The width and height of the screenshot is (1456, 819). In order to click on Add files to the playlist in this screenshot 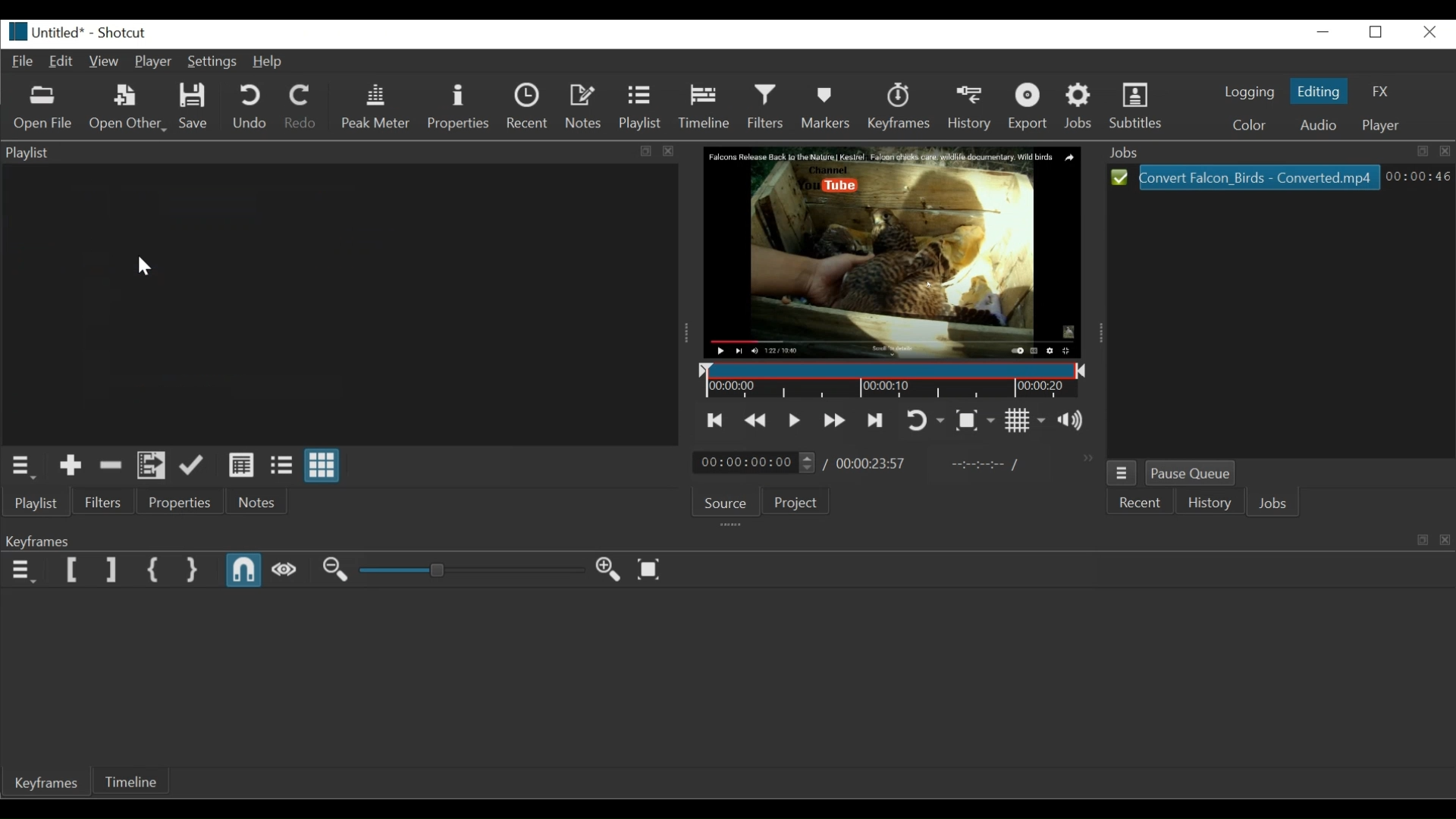, I will do `click(152, 467)`.